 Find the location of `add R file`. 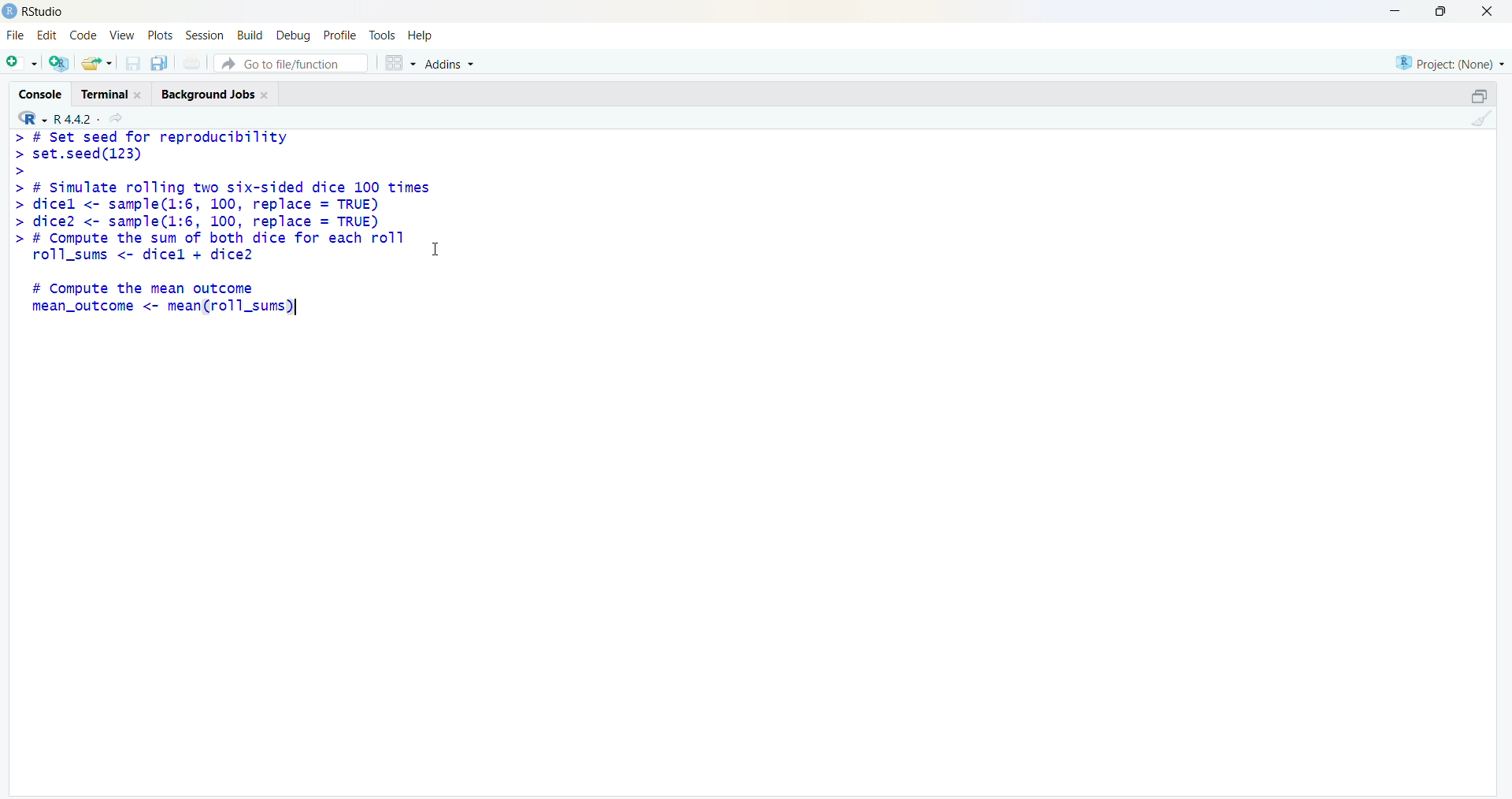

add R file is located at coordinates (59, 63).